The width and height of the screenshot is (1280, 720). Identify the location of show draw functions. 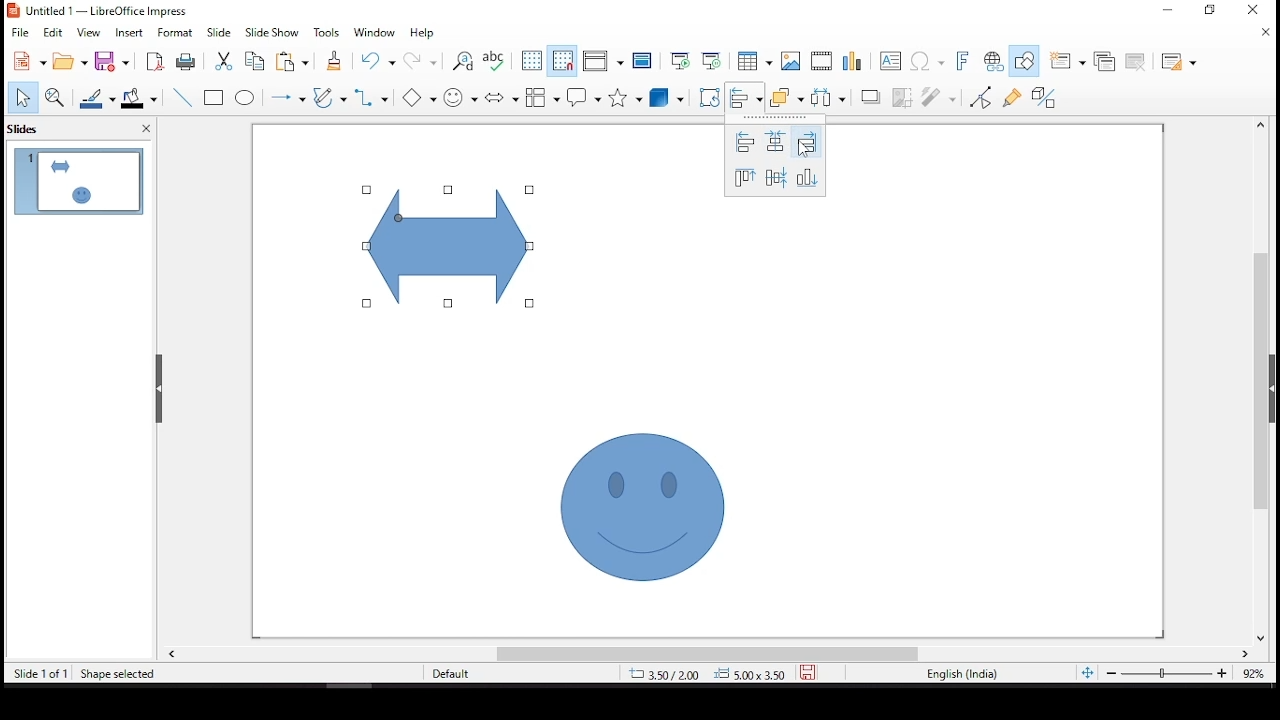
(1025, 59).